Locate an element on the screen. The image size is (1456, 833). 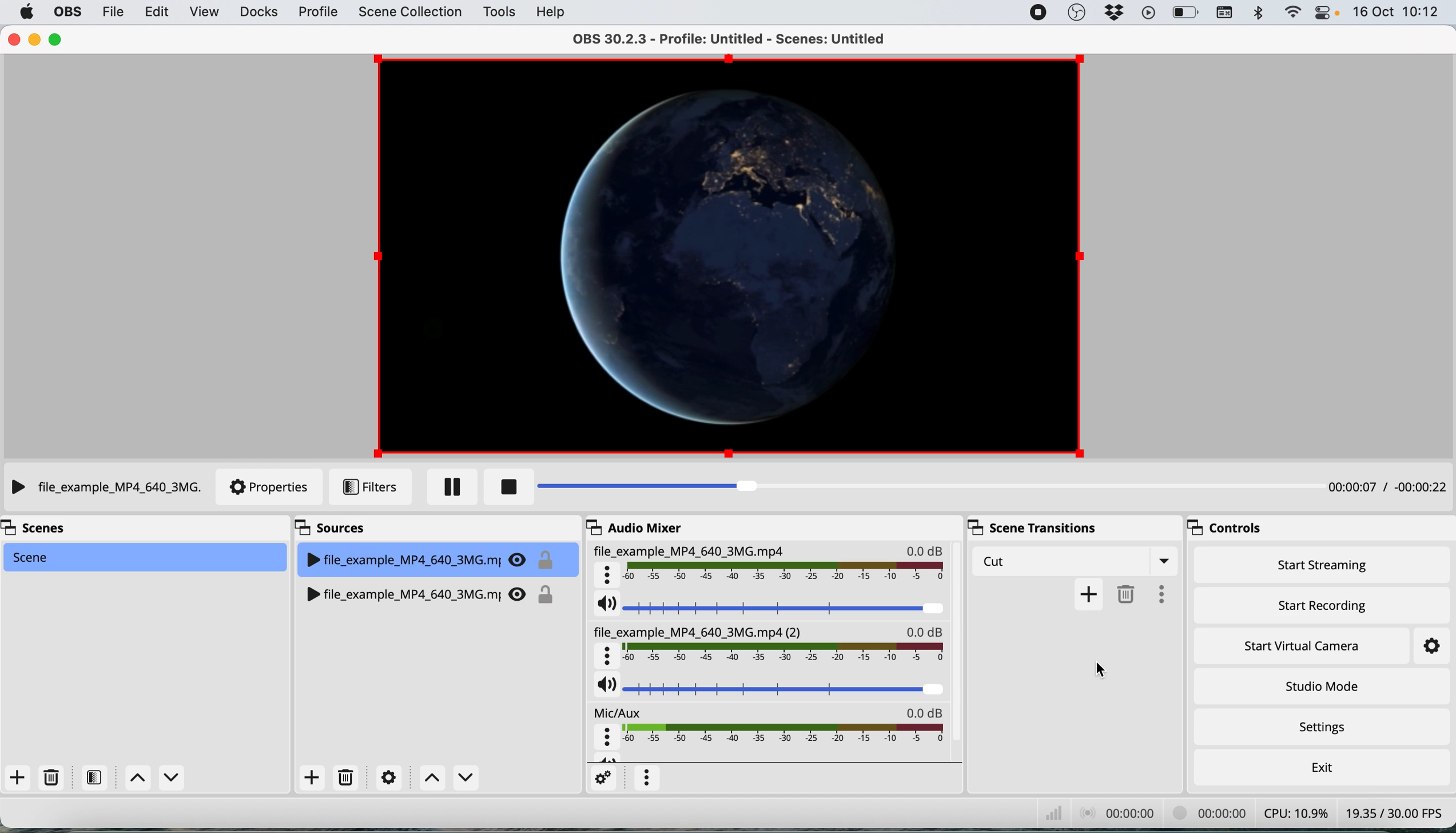
docks is located at coordinates (261, 12).